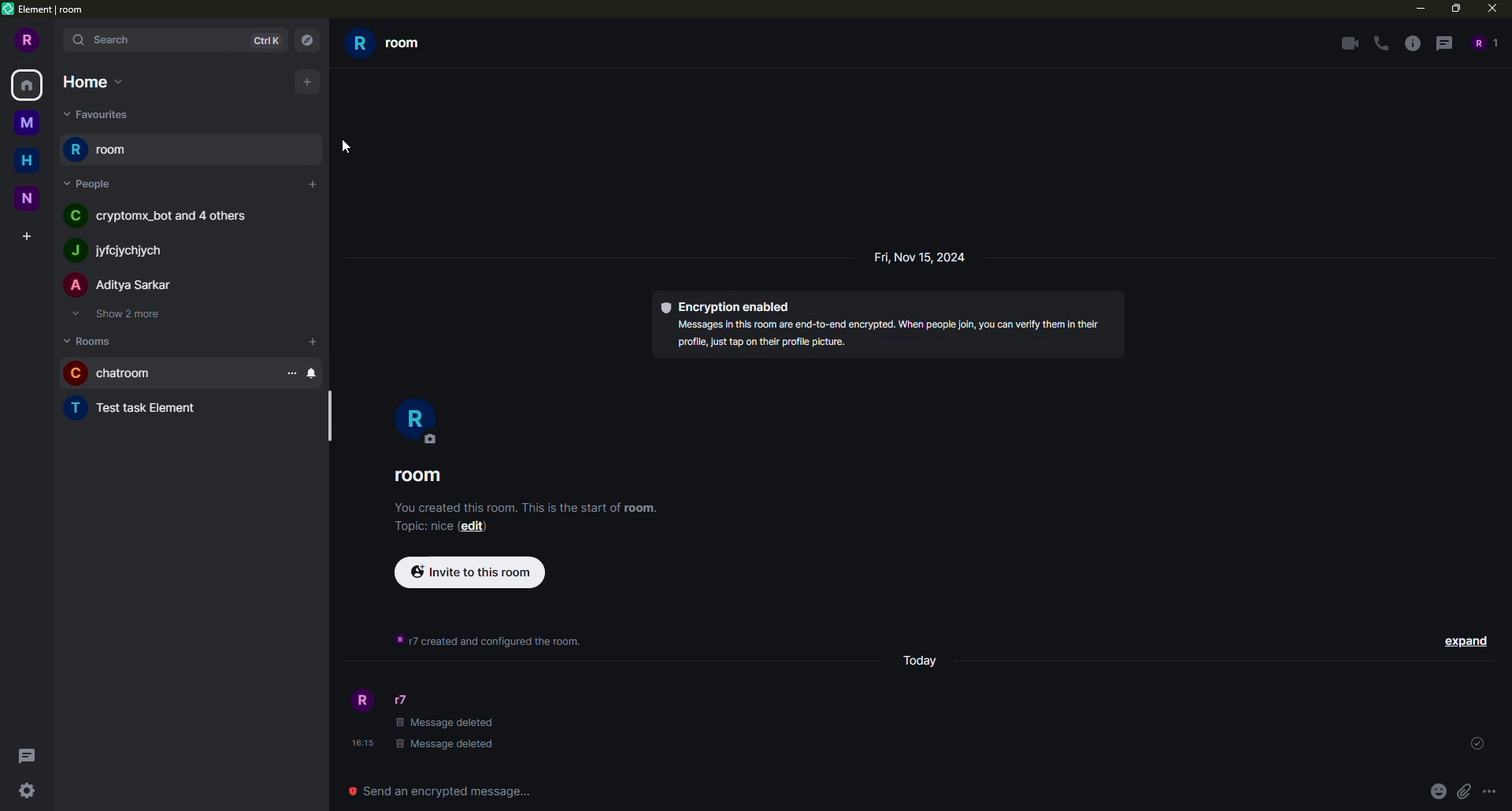 This screenshot has height=811, width=1512. I want to click on add, so click(313, 185).